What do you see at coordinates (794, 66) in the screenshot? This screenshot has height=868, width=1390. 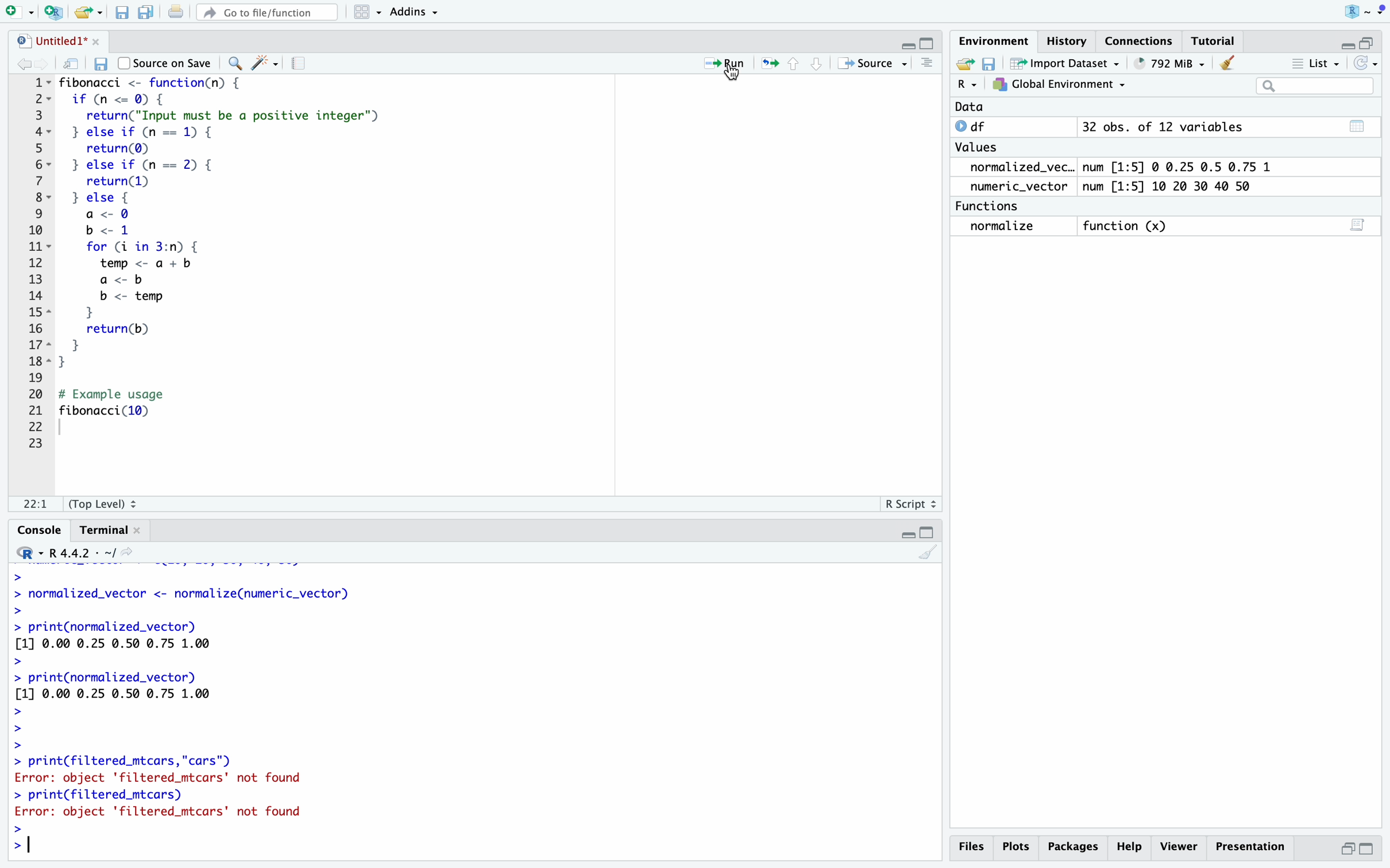 I see `go to previous chunk/section` at bounding box center [794, 66].